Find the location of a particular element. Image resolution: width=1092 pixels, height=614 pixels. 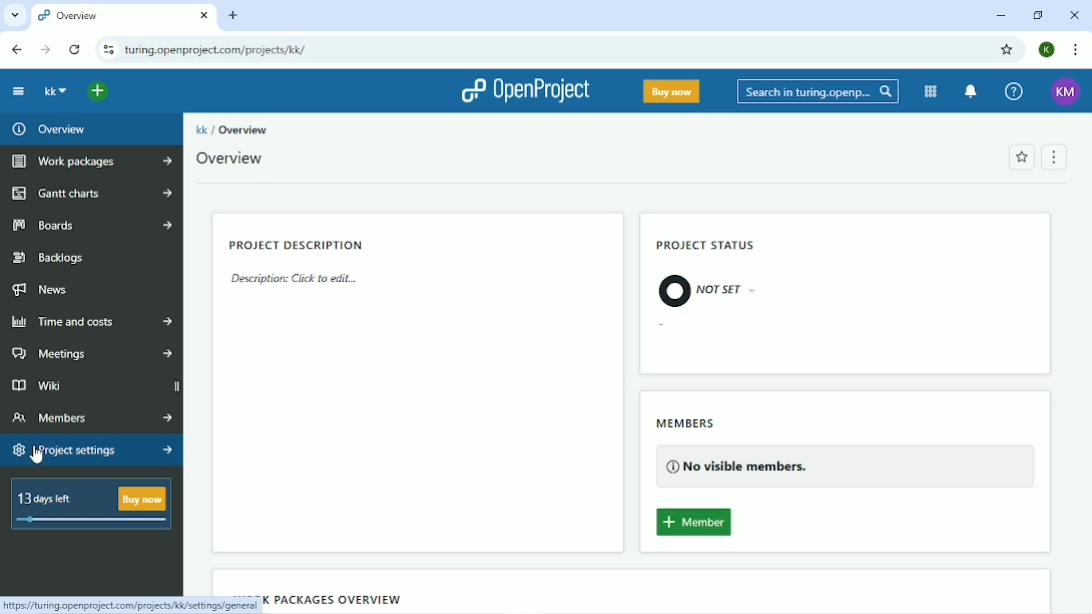

collapse project menu is located at coordinates (20, 90).